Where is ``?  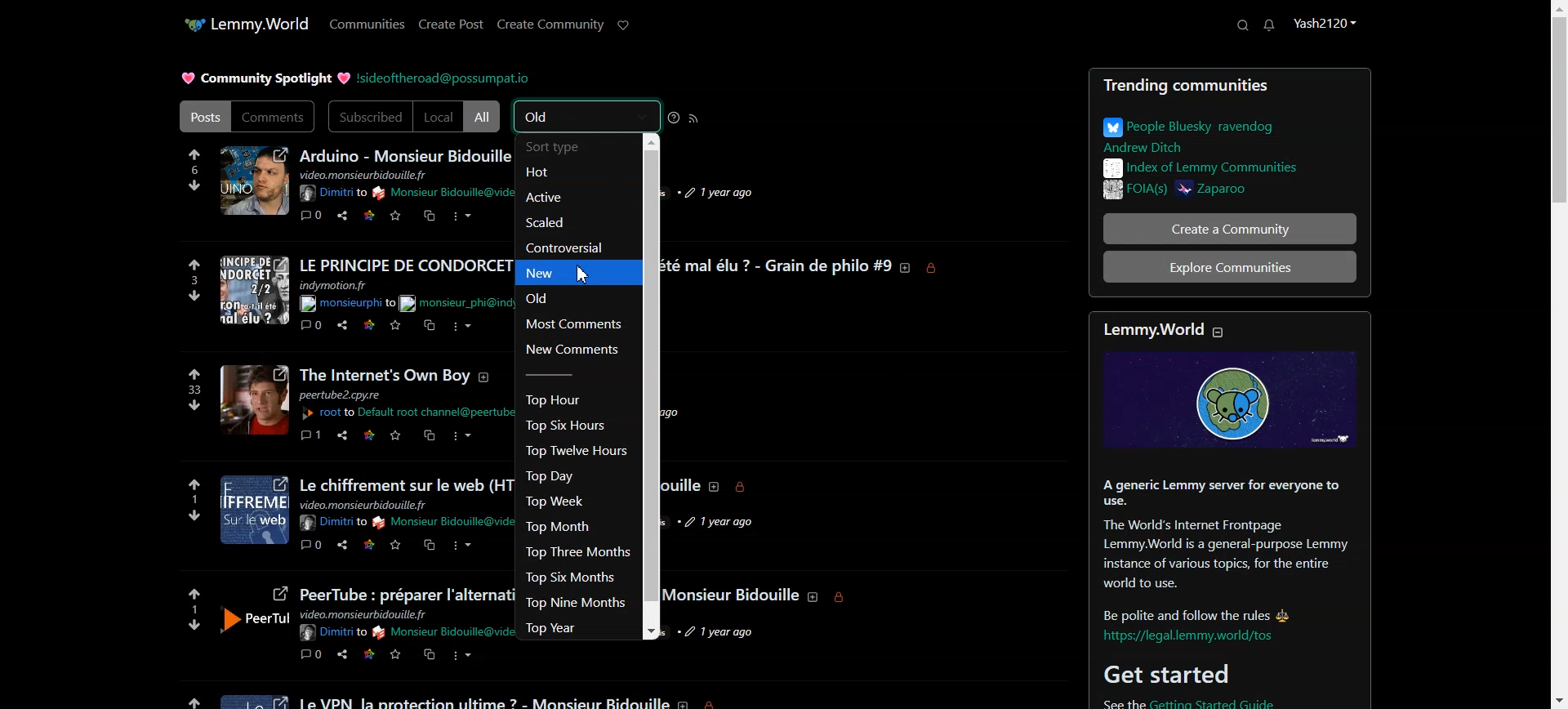
 is located at coordinates (937, 268).